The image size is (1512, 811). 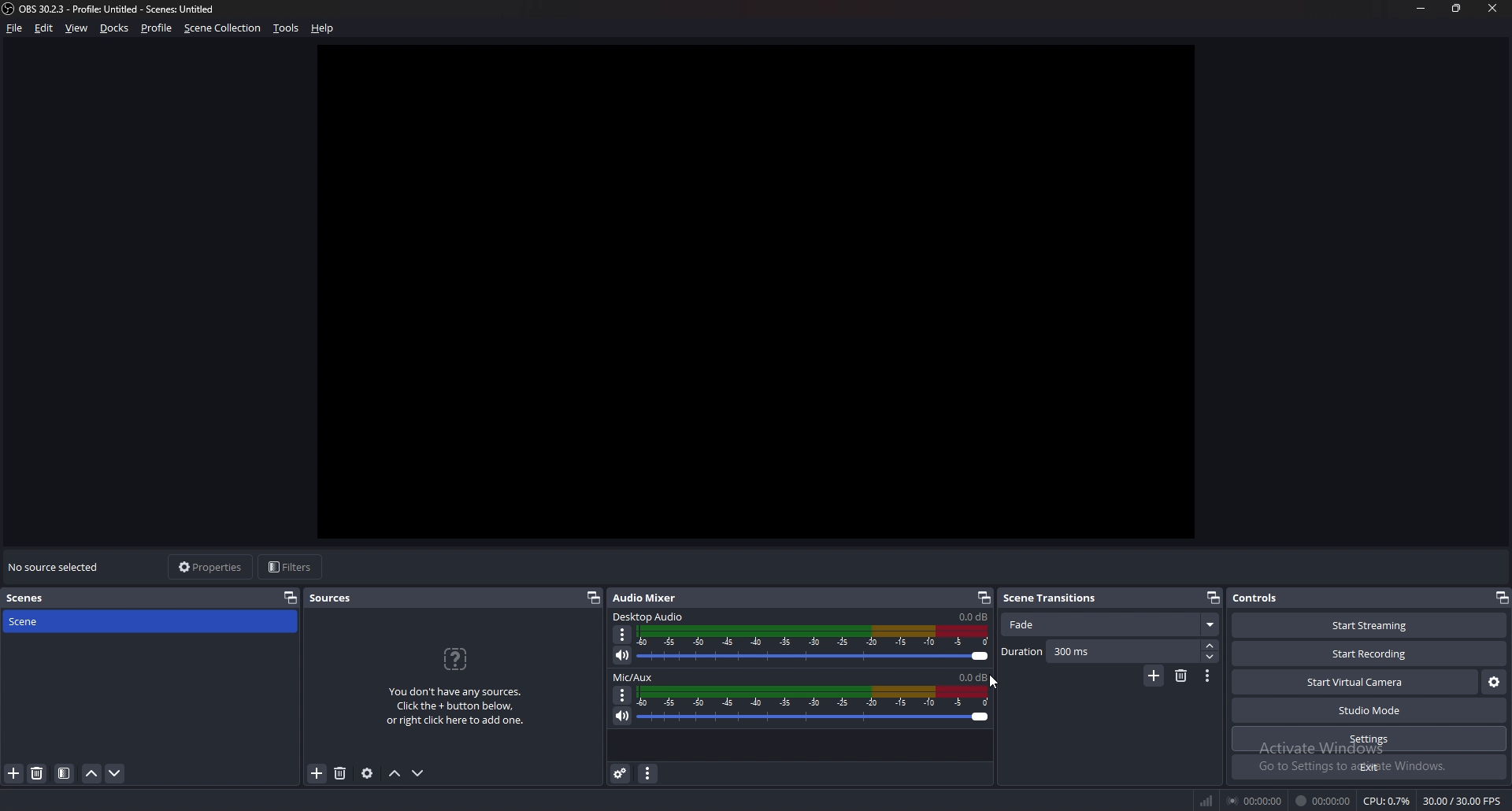 I want to click on 00:00:00, so click(x=1325, y=801).